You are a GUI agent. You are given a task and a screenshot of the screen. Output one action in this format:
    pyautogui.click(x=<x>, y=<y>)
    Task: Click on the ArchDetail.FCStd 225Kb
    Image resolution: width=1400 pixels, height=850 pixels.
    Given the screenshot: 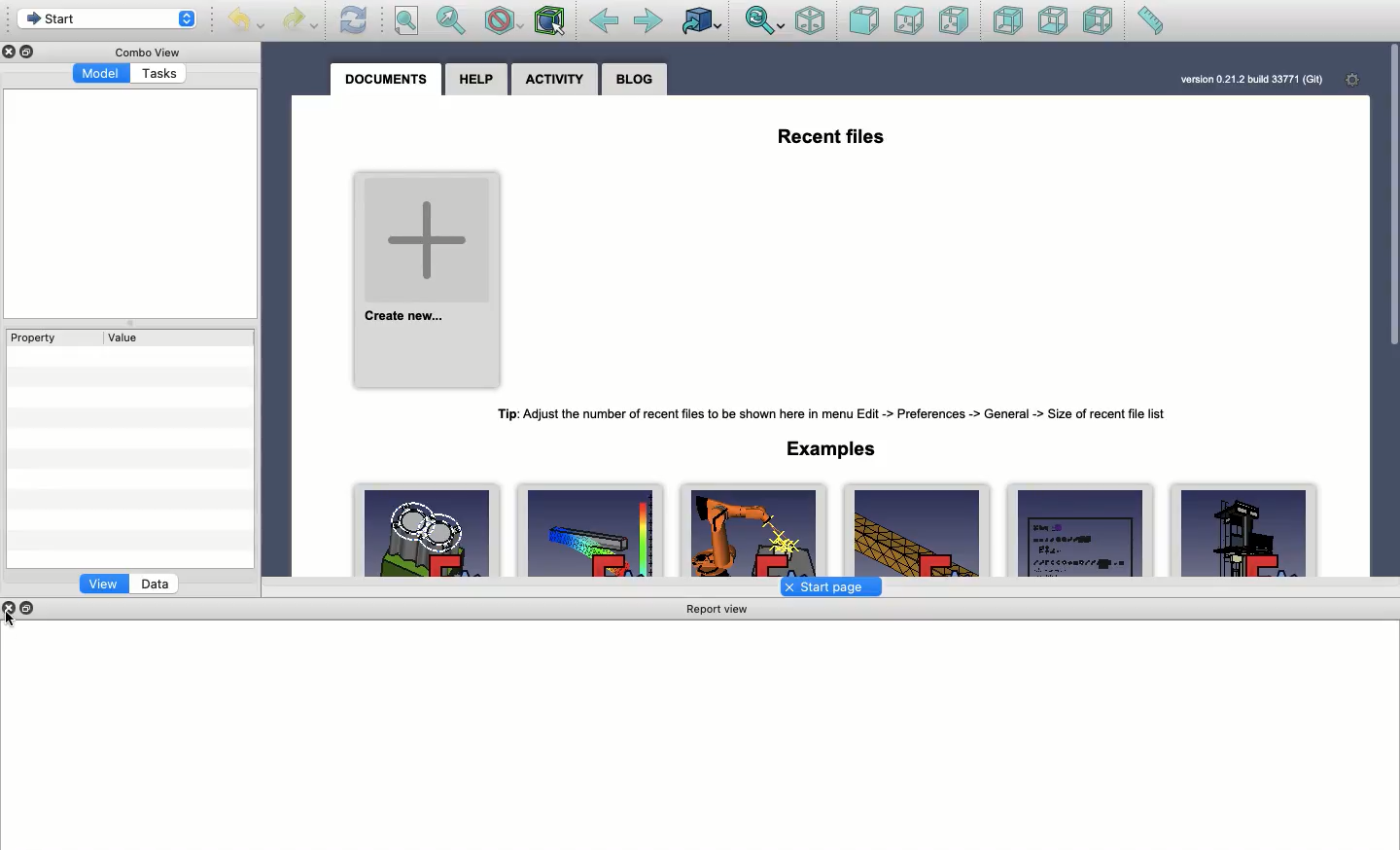 What is the action you would take?
    pyautogui.click(x=1245, y=531)
    